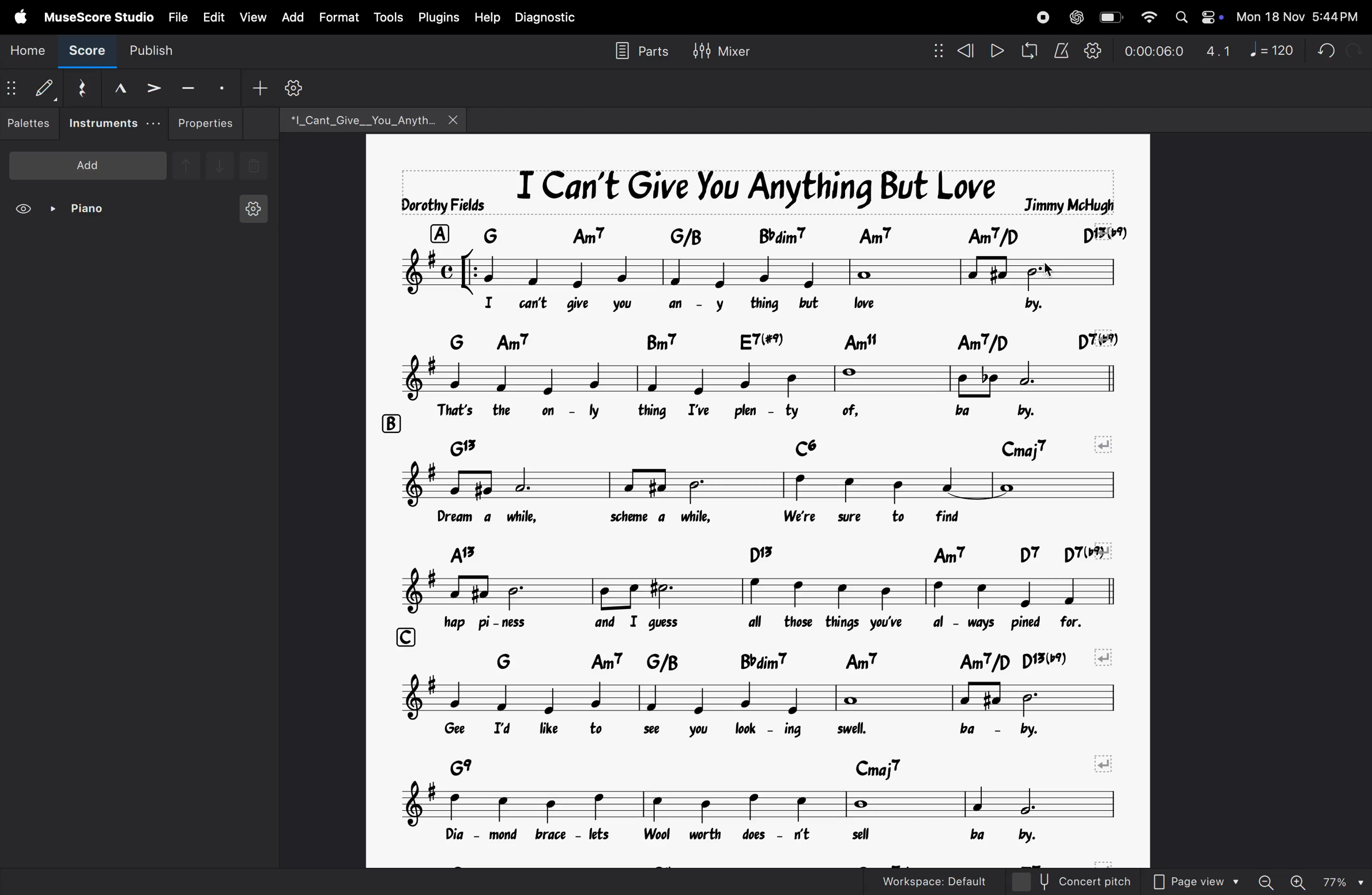 This screenshot has height=895, width=1372. I want to click on battery, so click(1108, 17).